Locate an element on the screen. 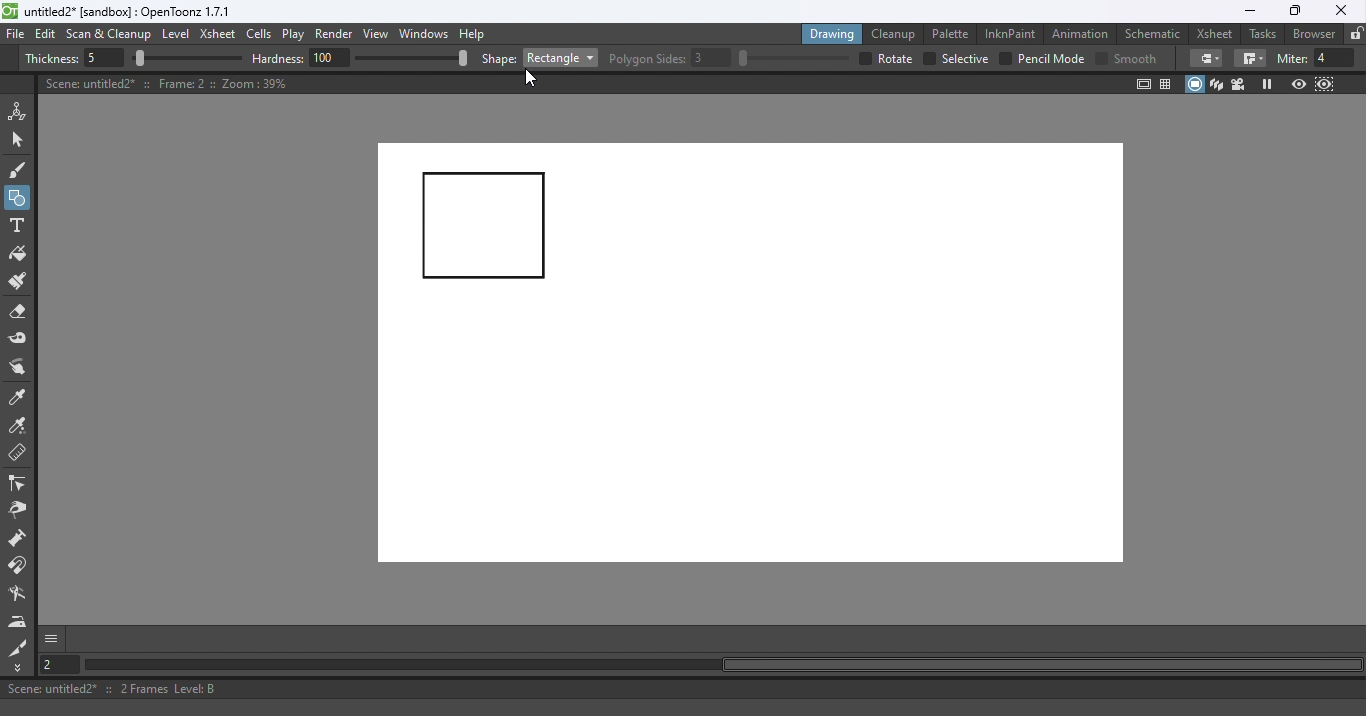  Tape tool is located at coordinates (21, 340).